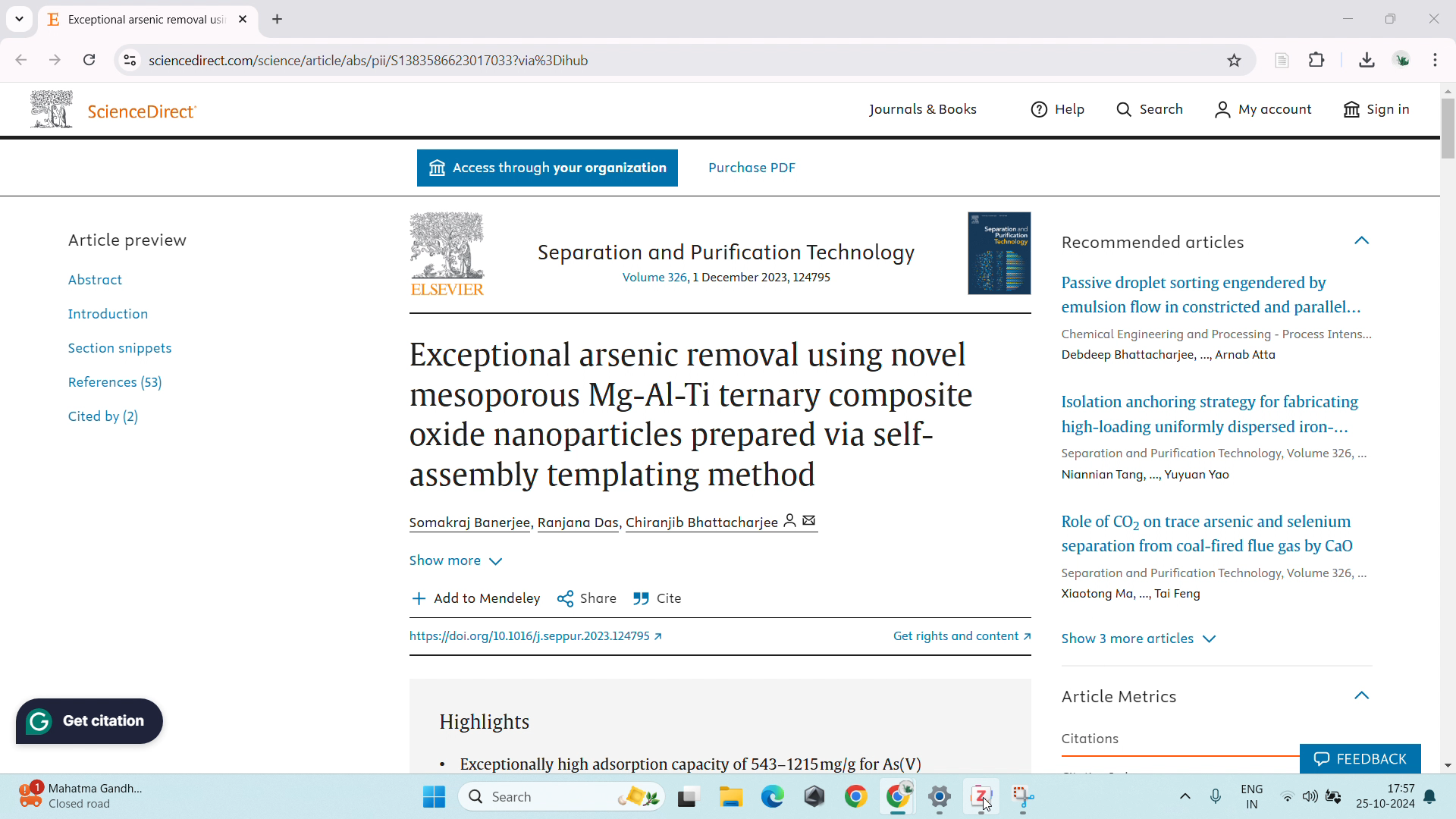 The height and width of the screenshot is (819, 1456). I want to click on Logo, so click(447, 244).